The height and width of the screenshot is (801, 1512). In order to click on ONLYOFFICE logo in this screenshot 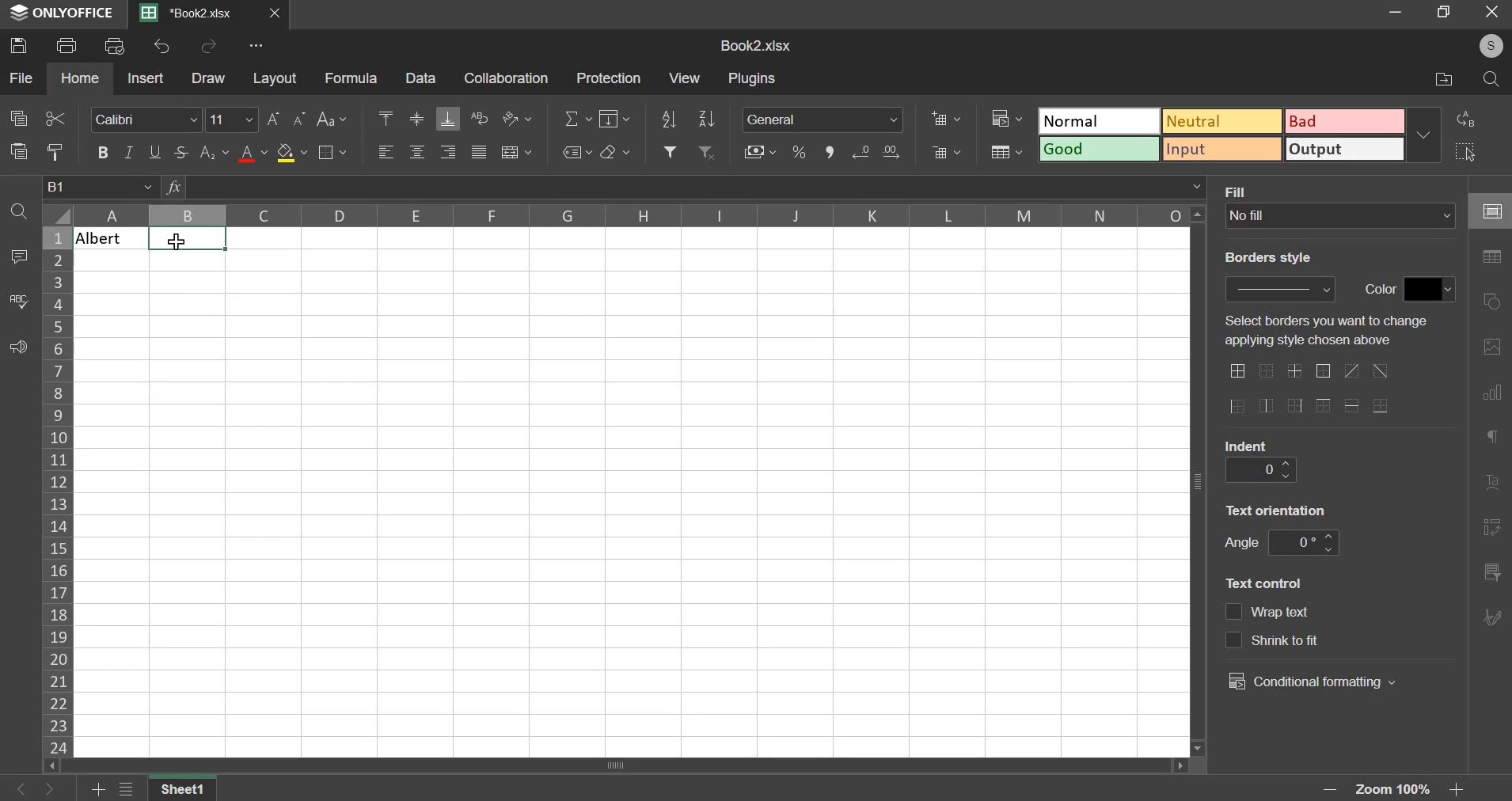, I will do `click(63, 13)`.